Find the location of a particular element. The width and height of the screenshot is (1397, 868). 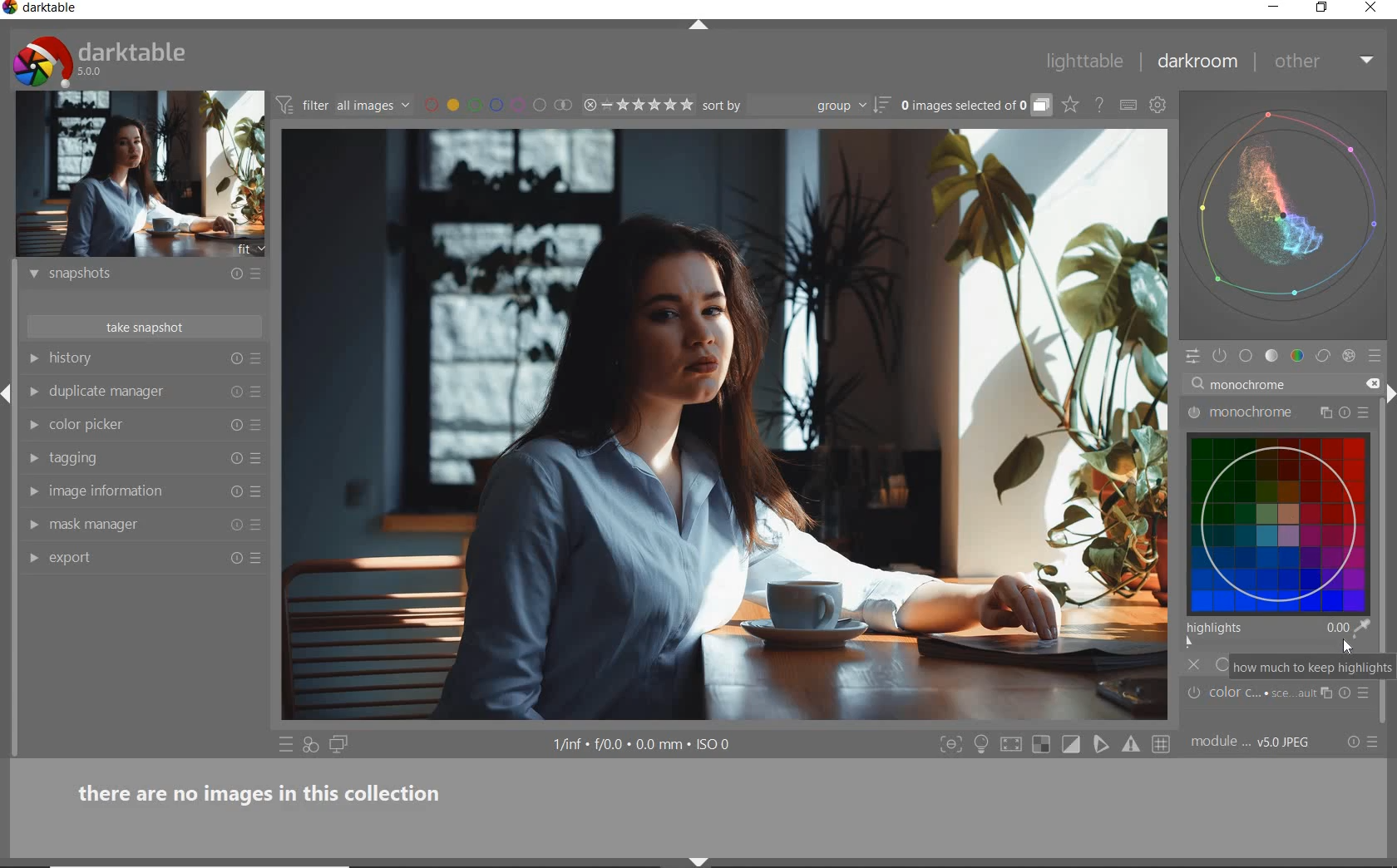

base is located at coordinates (1246, 358).